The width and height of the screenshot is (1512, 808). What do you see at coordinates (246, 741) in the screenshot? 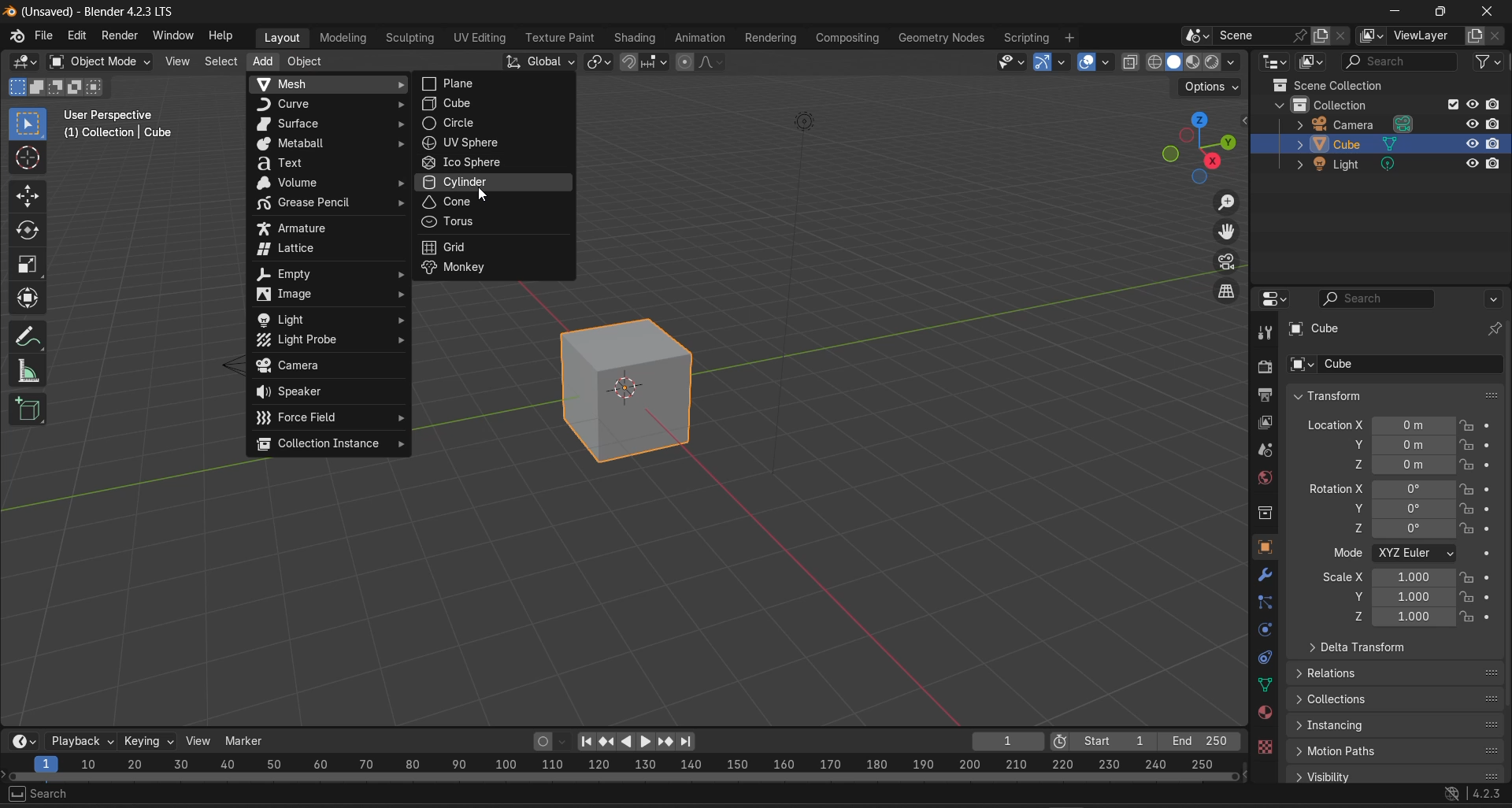
I see `marker` at bounding box center [246, 741].